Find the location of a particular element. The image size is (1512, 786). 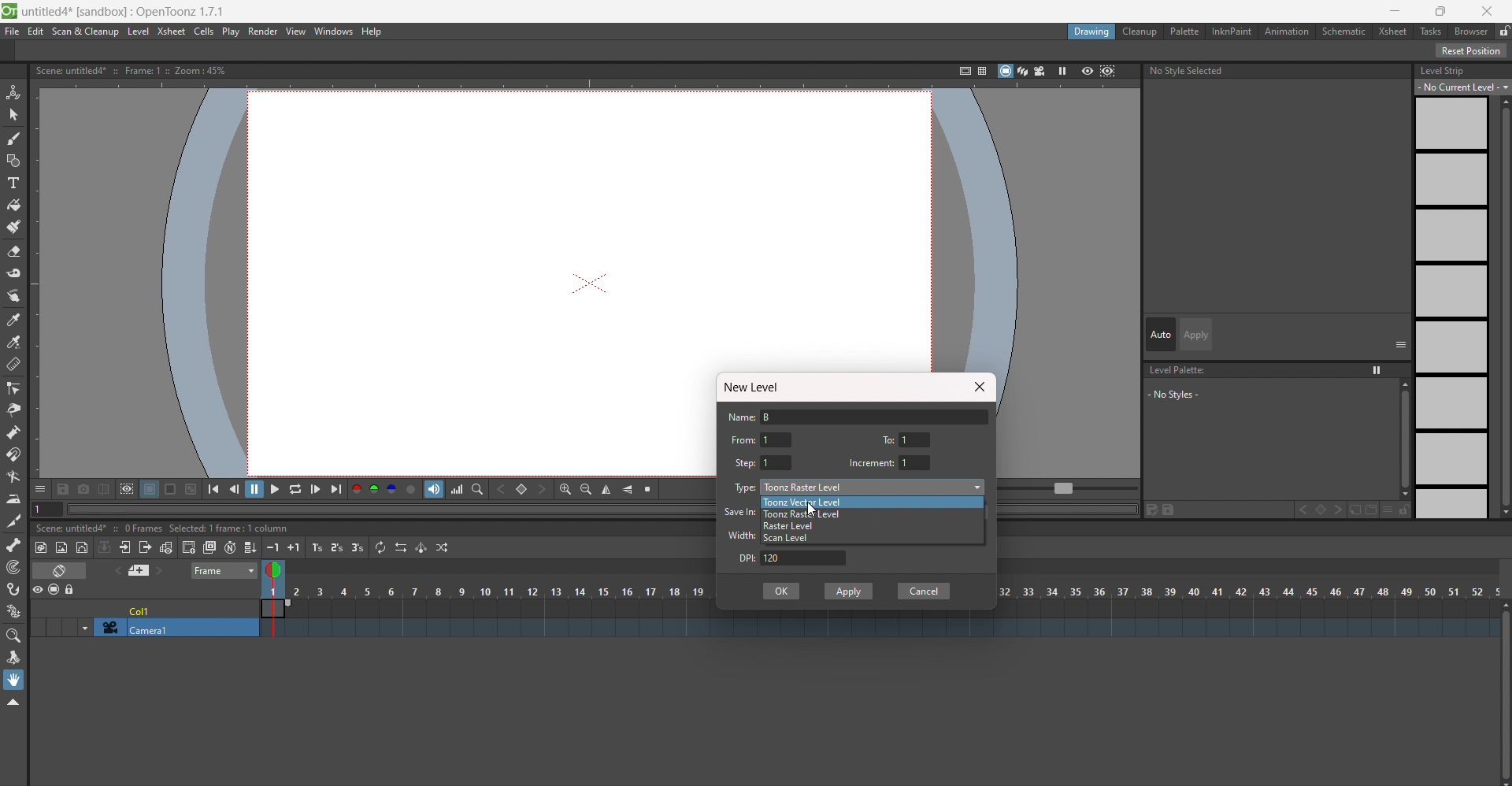

duplicate drawing is located at coordinates (209, 548).